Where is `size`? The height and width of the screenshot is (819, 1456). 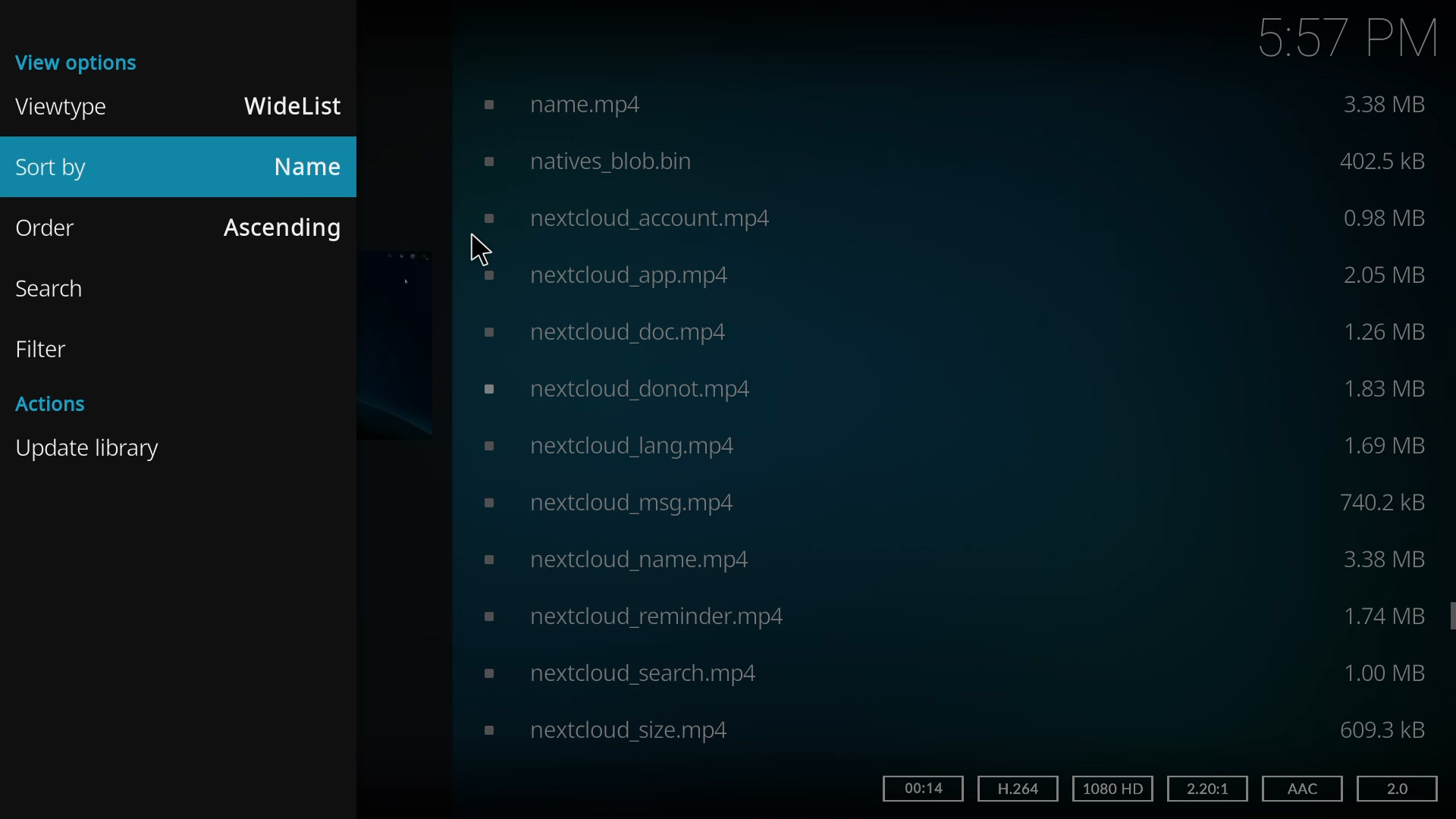
size is located at coordinates (1389, 501).